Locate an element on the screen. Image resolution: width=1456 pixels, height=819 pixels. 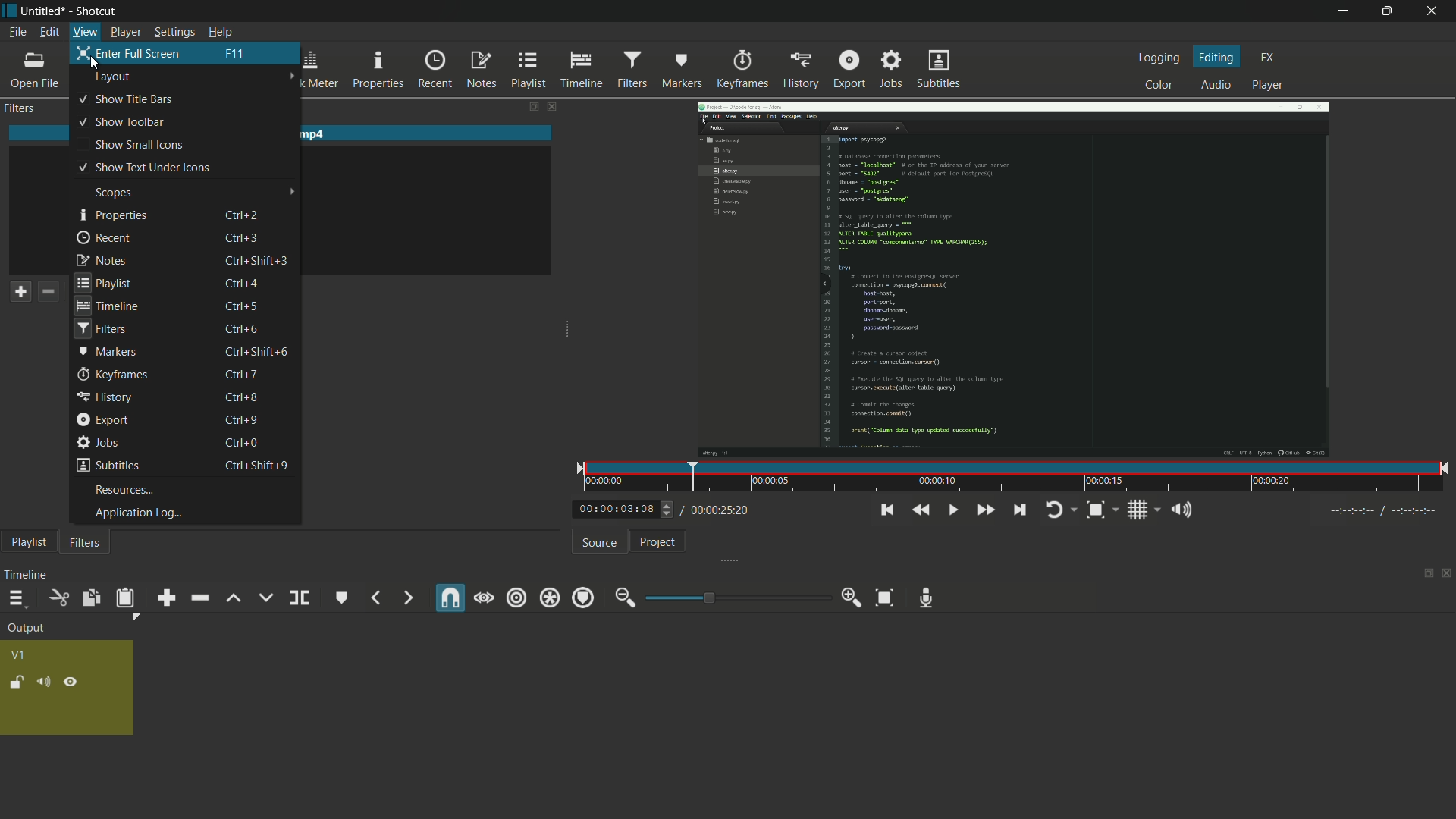
history is located at coordinates (102, 397).